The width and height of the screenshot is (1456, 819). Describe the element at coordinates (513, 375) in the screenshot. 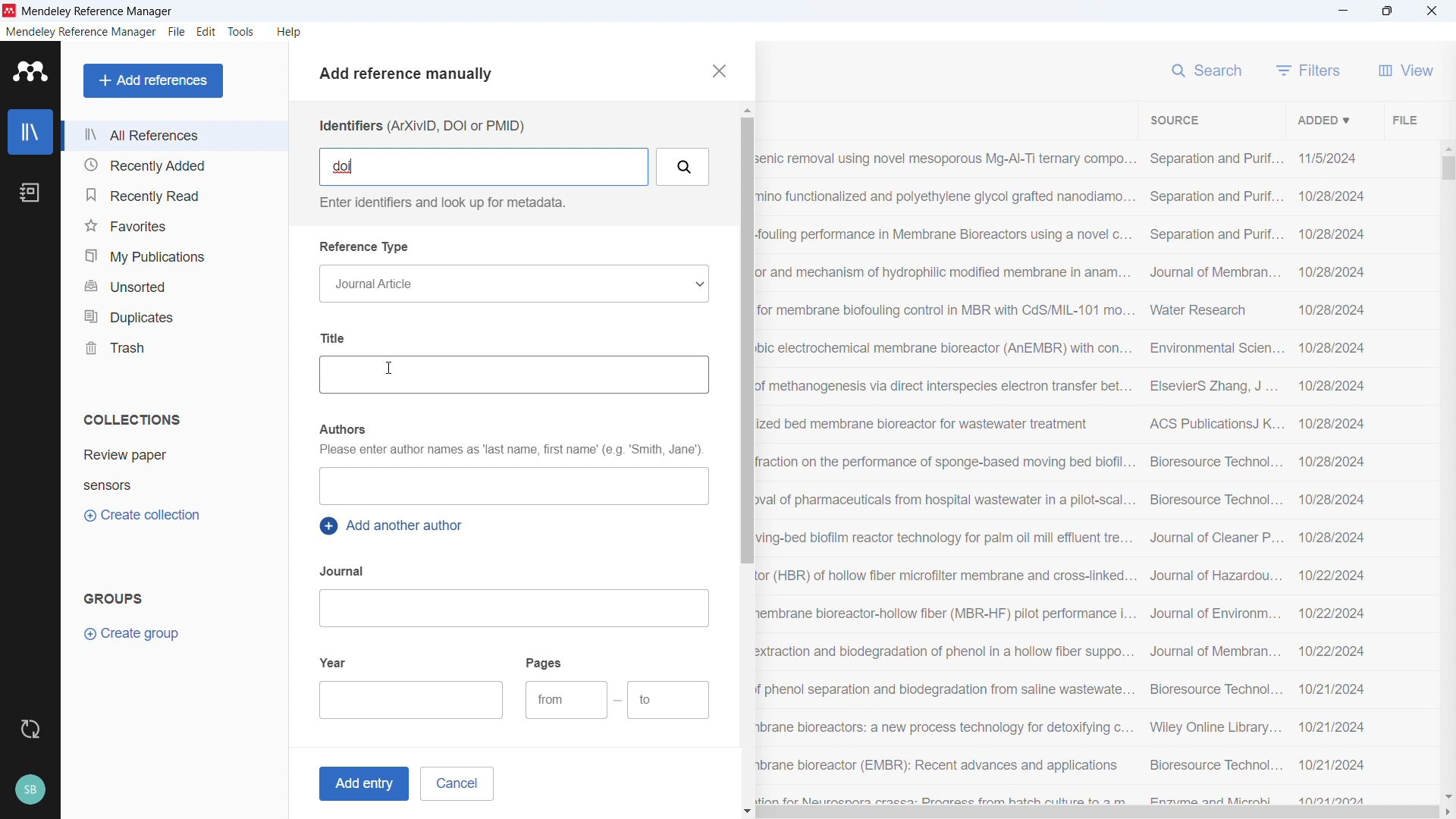

I see `Add title ` at that location.